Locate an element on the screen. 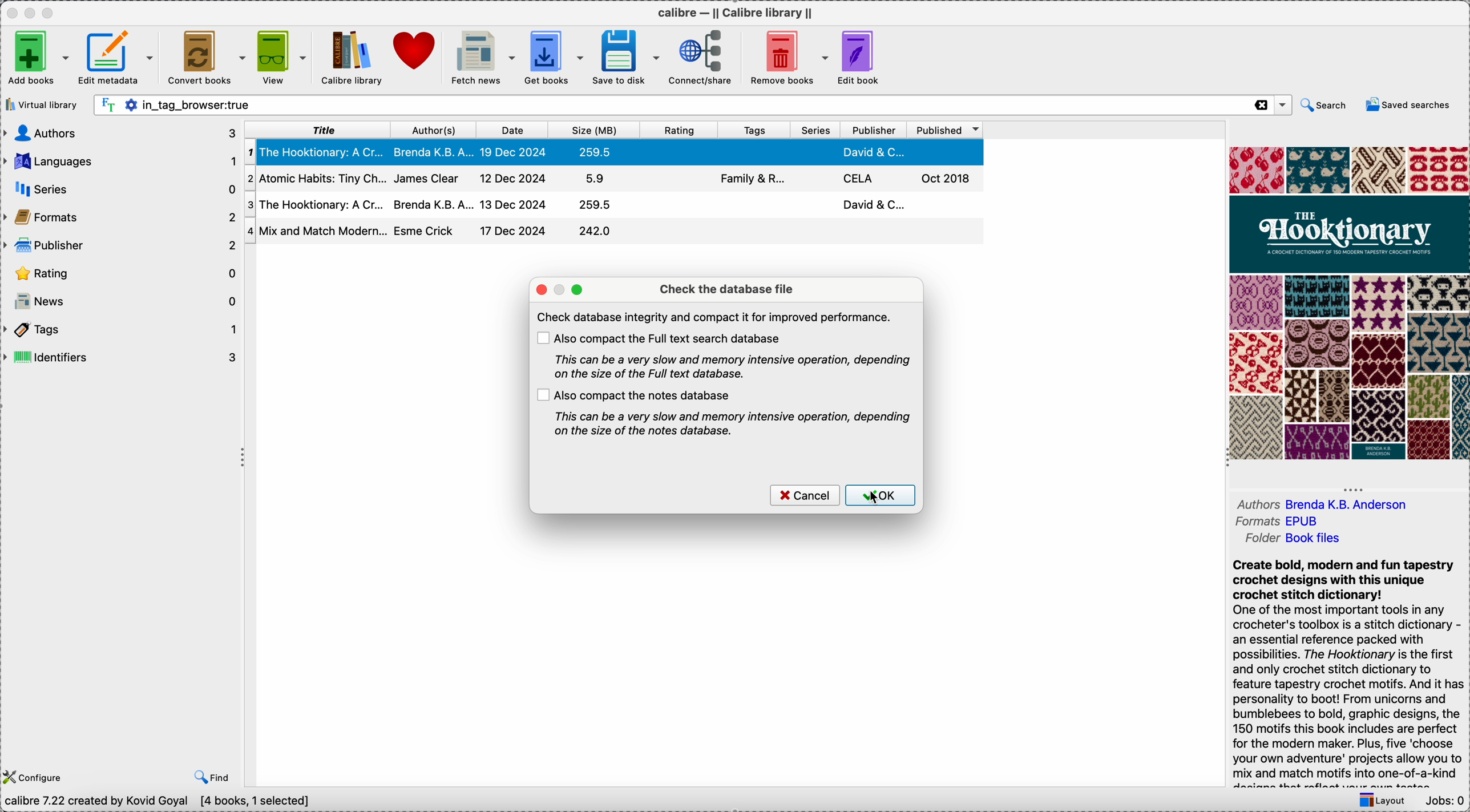 The width and height of the screenshot is (1470, 812). tags is located at coordinates (754, 130).